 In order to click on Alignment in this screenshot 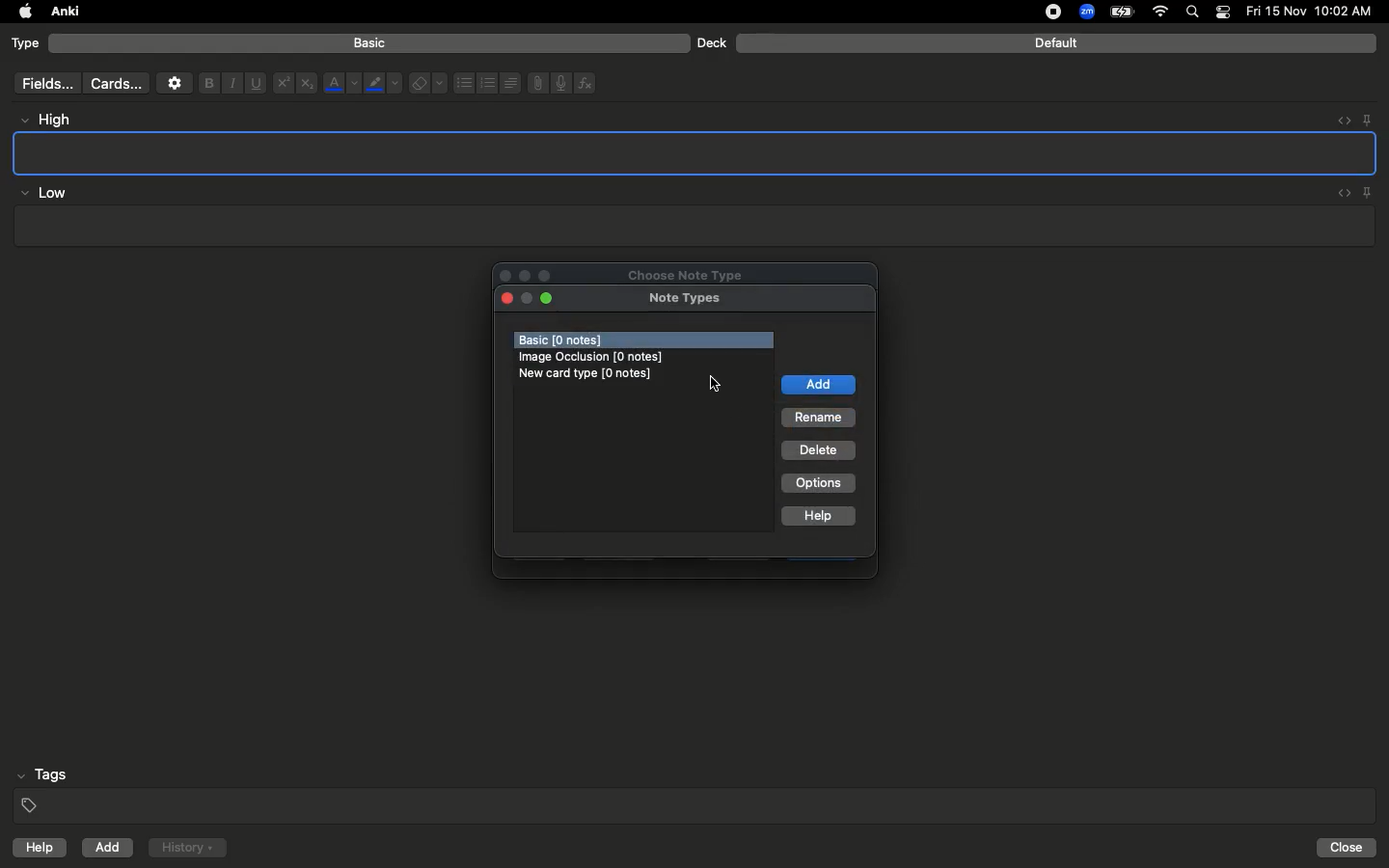, I will do `click(508, 81)`.